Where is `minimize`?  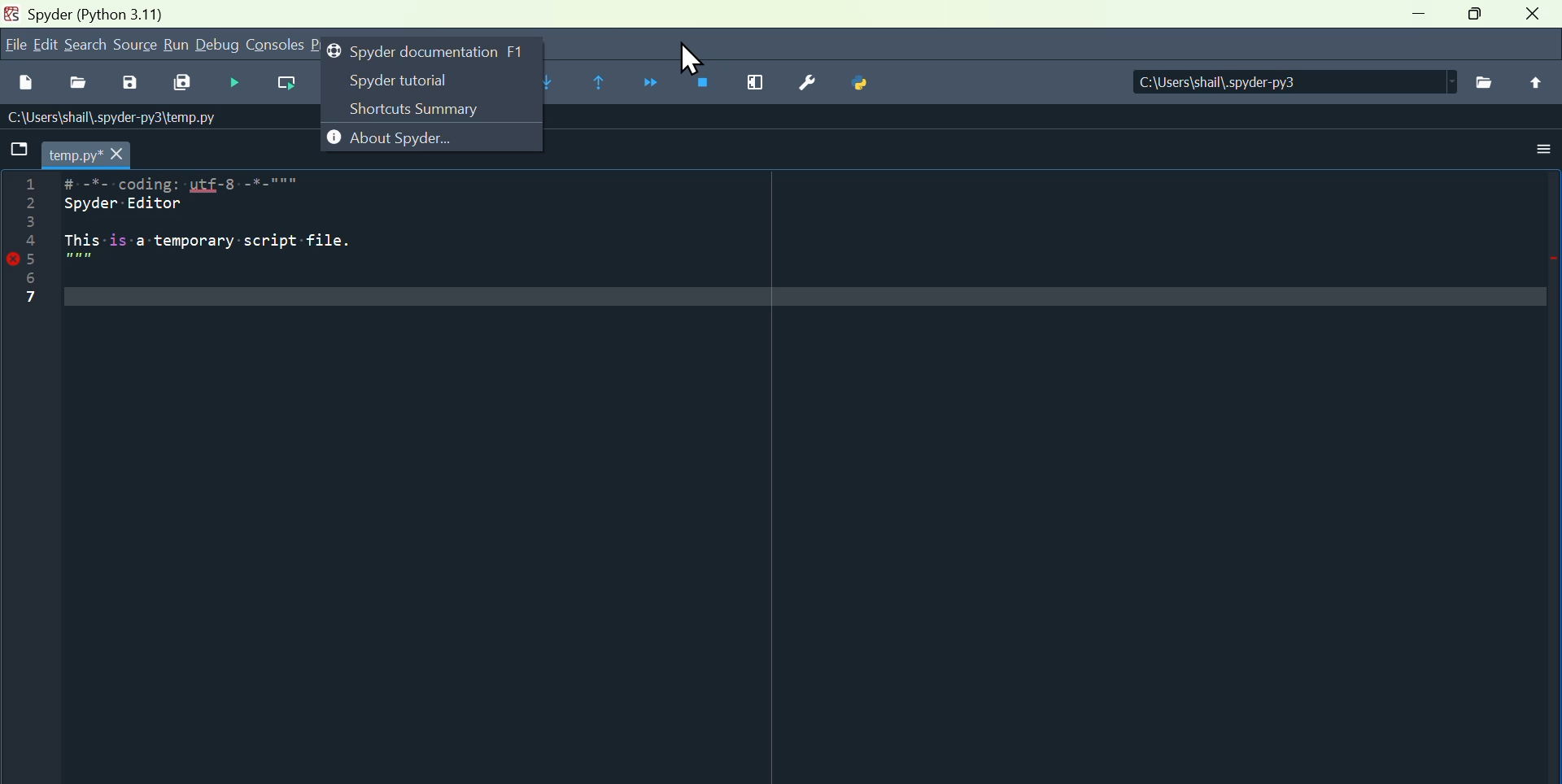 minimize is located at coordinates (1416, 14).